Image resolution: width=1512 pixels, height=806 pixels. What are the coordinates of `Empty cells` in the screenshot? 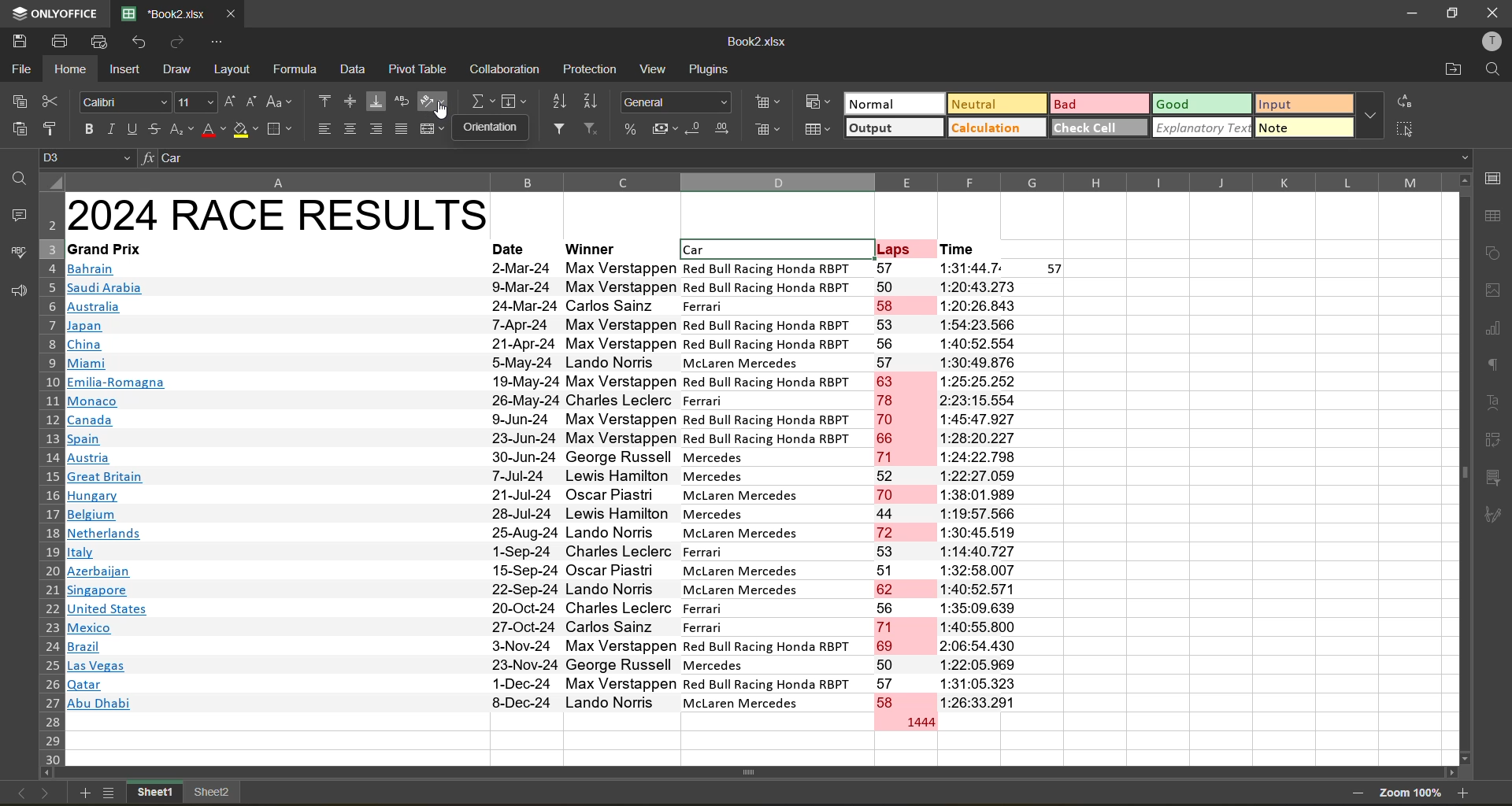 It's located at (1273, 509).